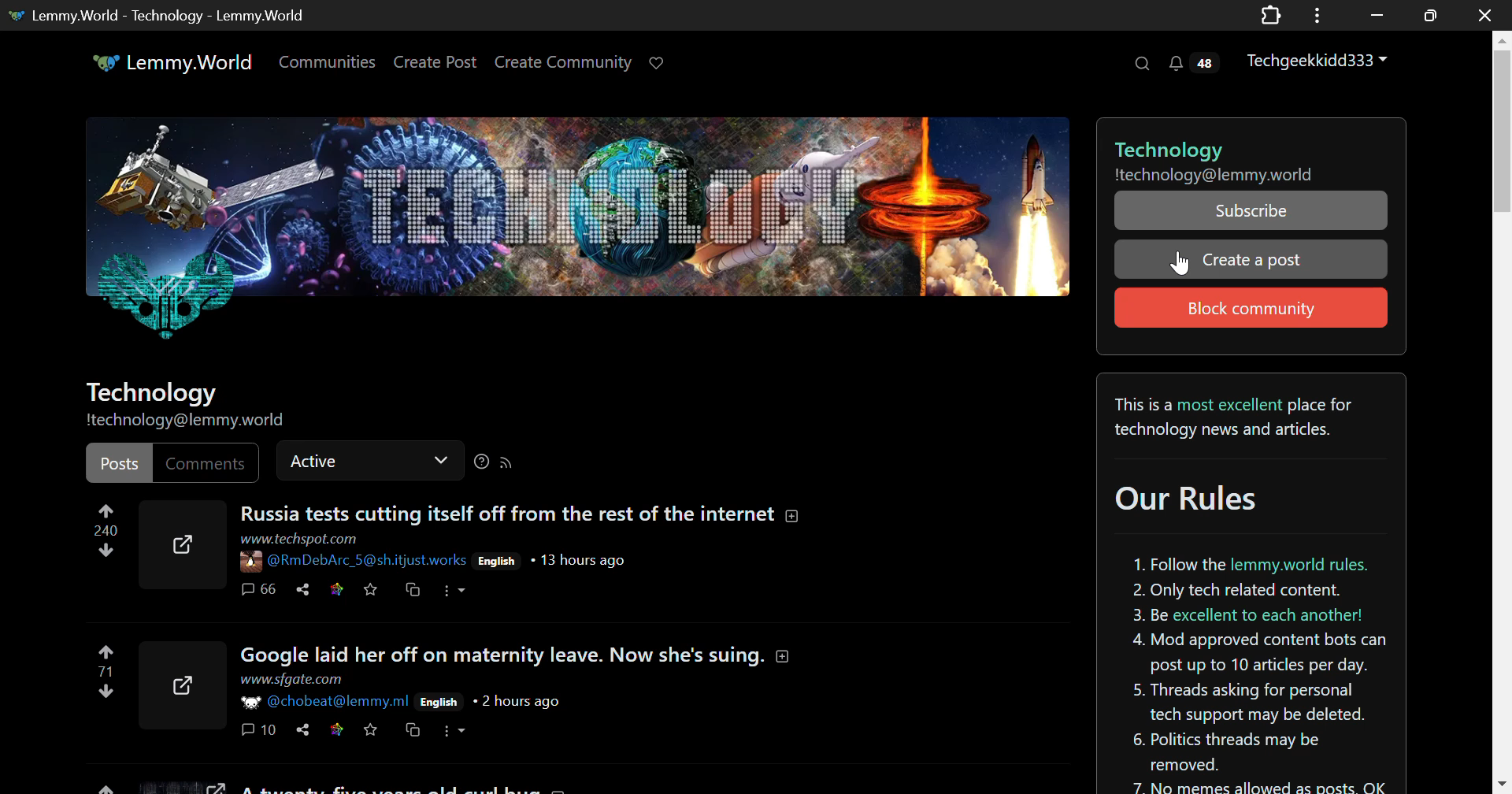 Image resolution: width=1512 pixels, height=794 pixels. I want to click on Create post, so click(1253, 258).